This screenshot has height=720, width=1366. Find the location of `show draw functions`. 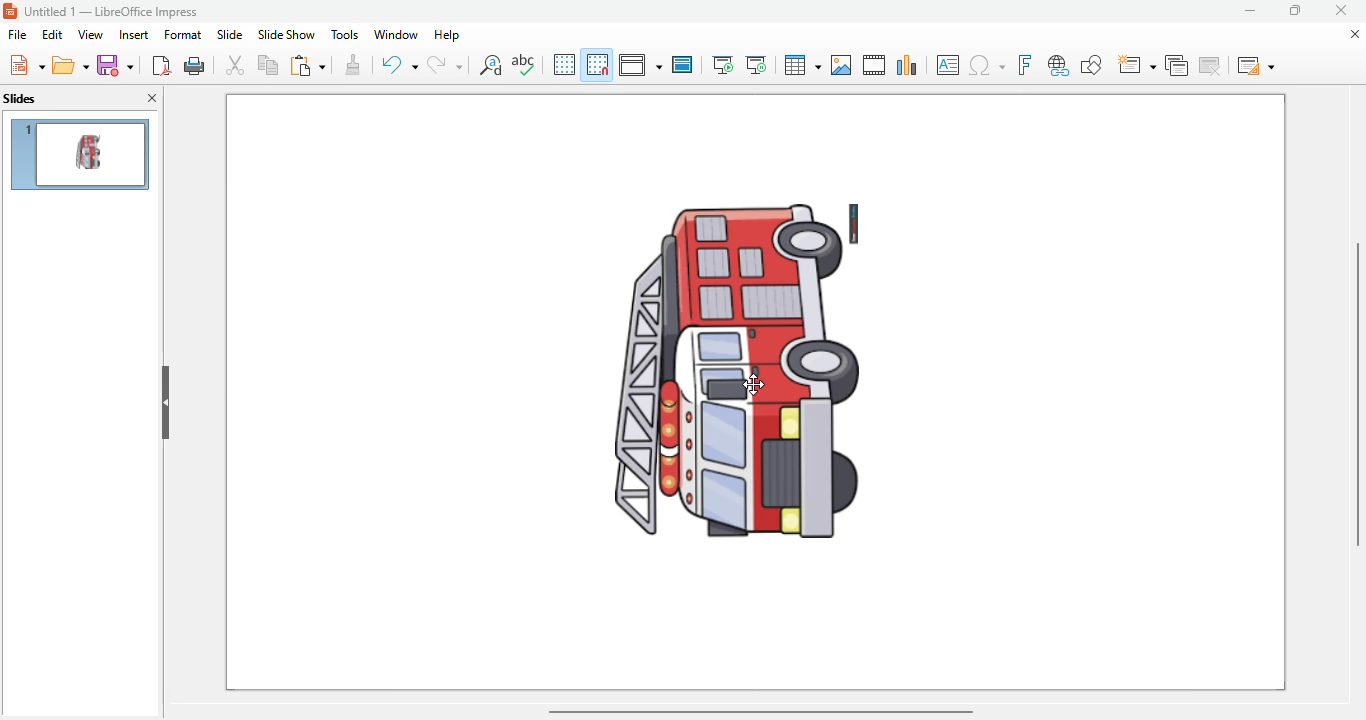

show draw functions is located at coordinates (1092, 65).